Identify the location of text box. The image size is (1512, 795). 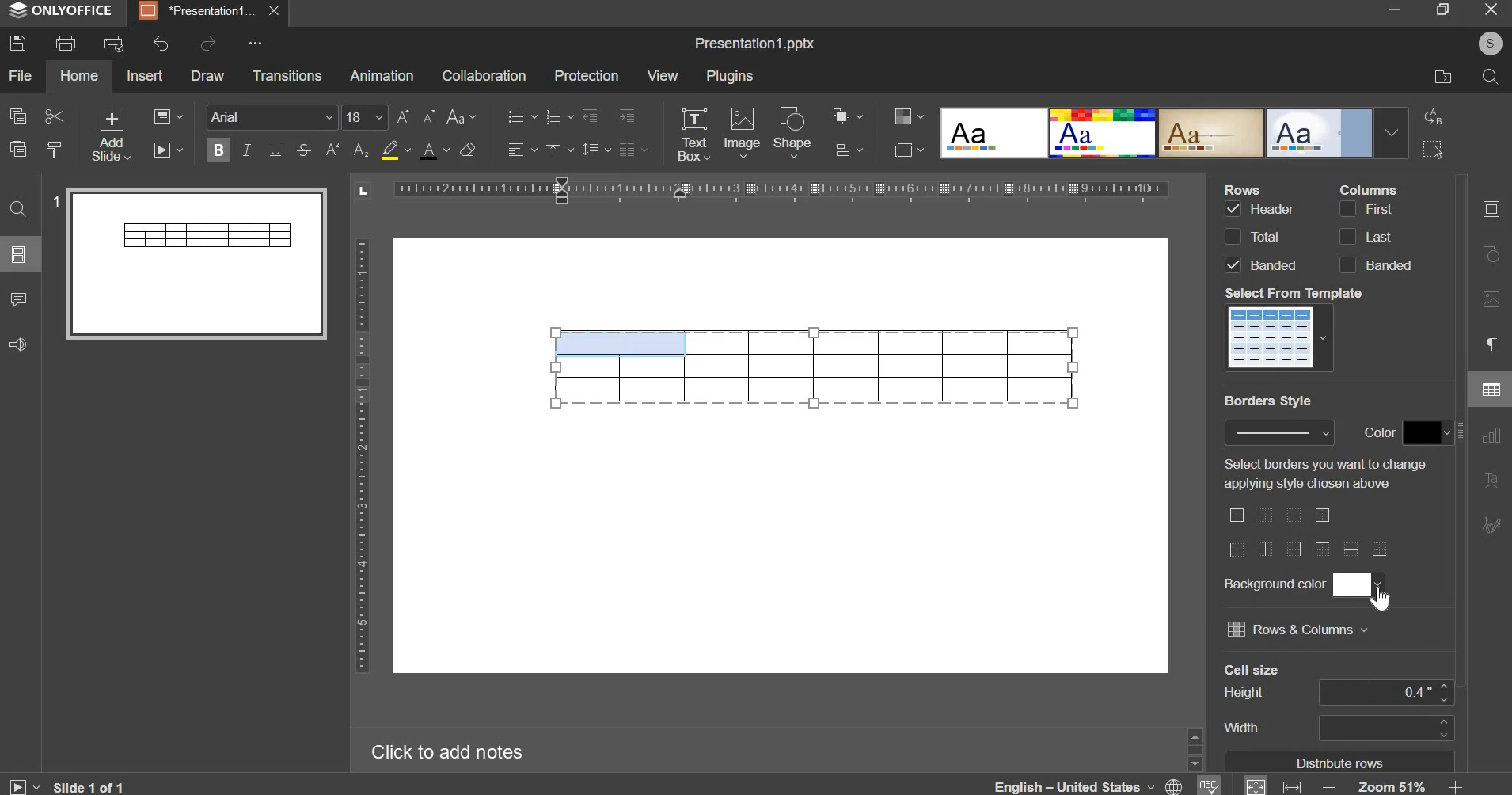
(693, 135).